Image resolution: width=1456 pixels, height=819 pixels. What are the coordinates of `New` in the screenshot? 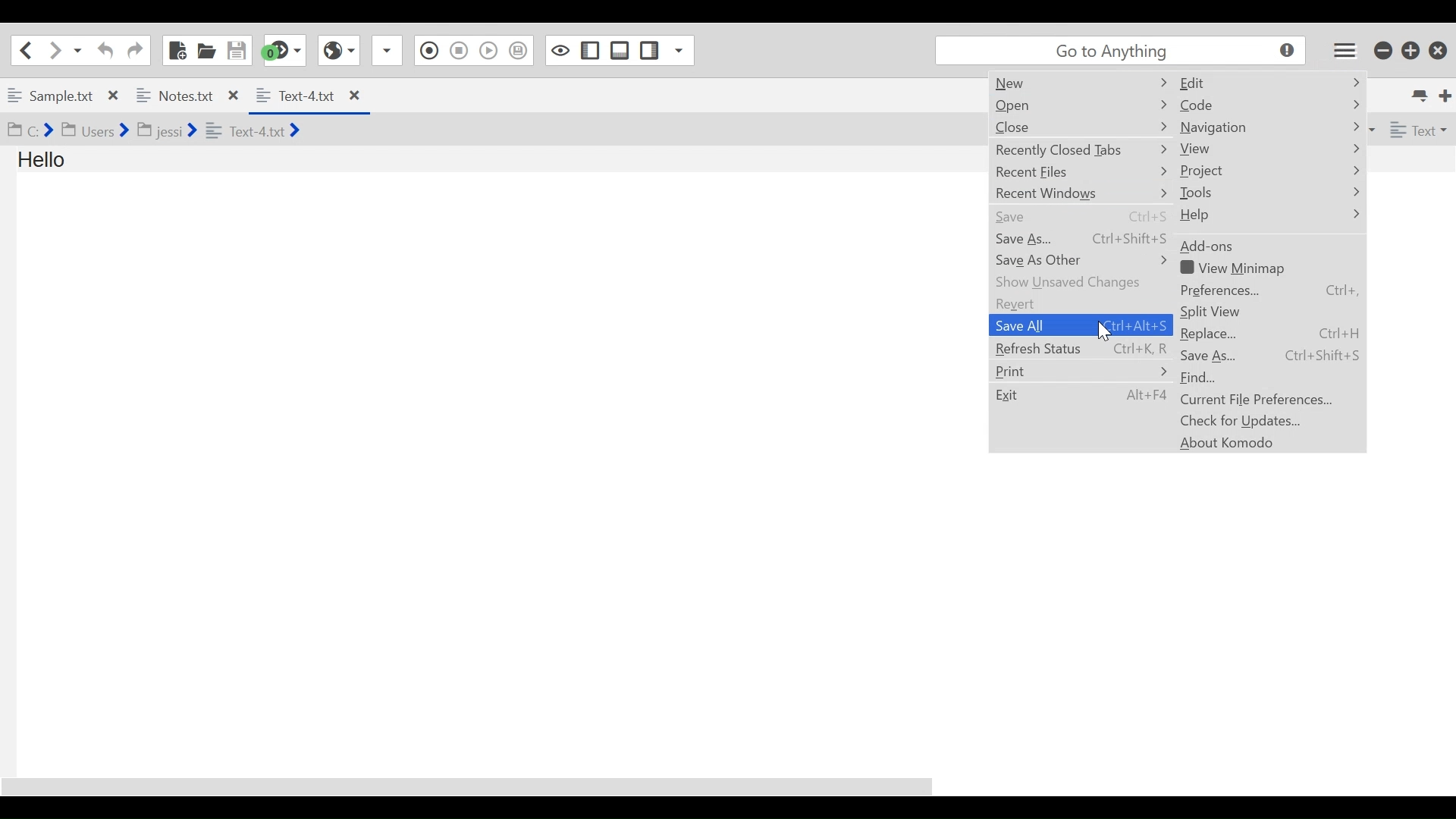 It's located at (1082, 82).